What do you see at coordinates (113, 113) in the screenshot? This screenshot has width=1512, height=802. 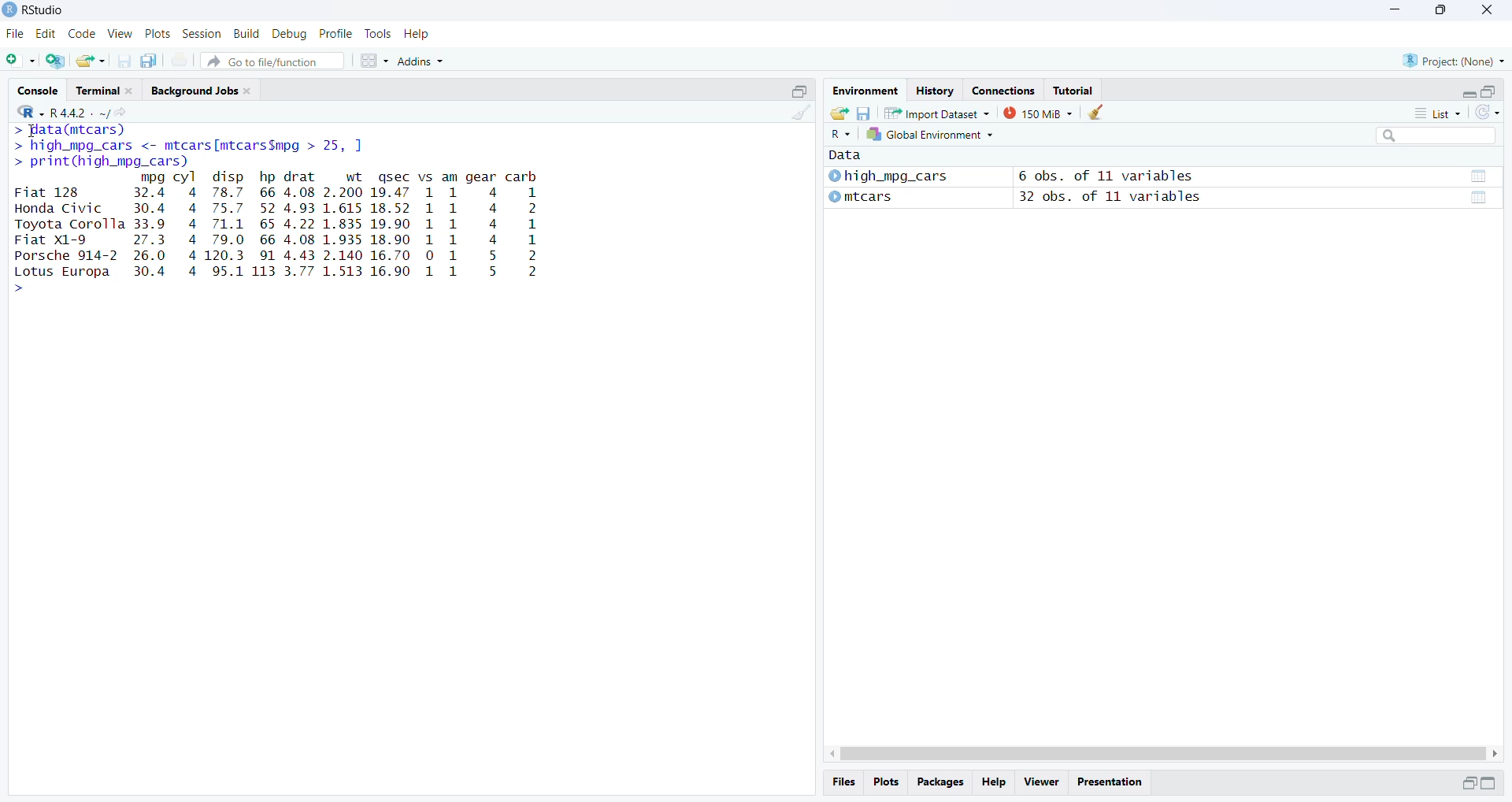 I see `view current directory` at bounding box center [113, 113].